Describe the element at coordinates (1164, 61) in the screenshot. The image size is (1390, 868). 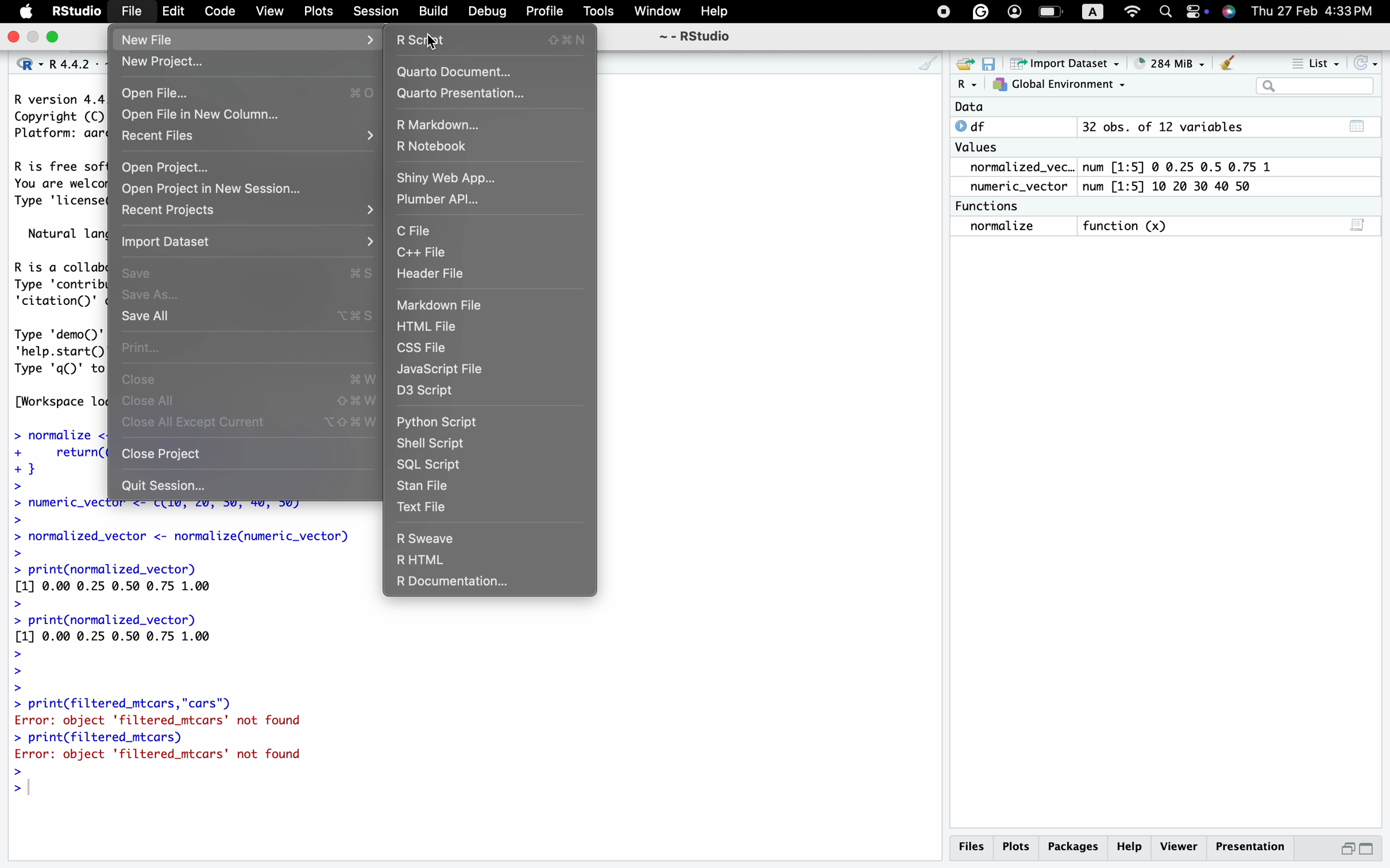
I see ` 284 MiB ` at that location.